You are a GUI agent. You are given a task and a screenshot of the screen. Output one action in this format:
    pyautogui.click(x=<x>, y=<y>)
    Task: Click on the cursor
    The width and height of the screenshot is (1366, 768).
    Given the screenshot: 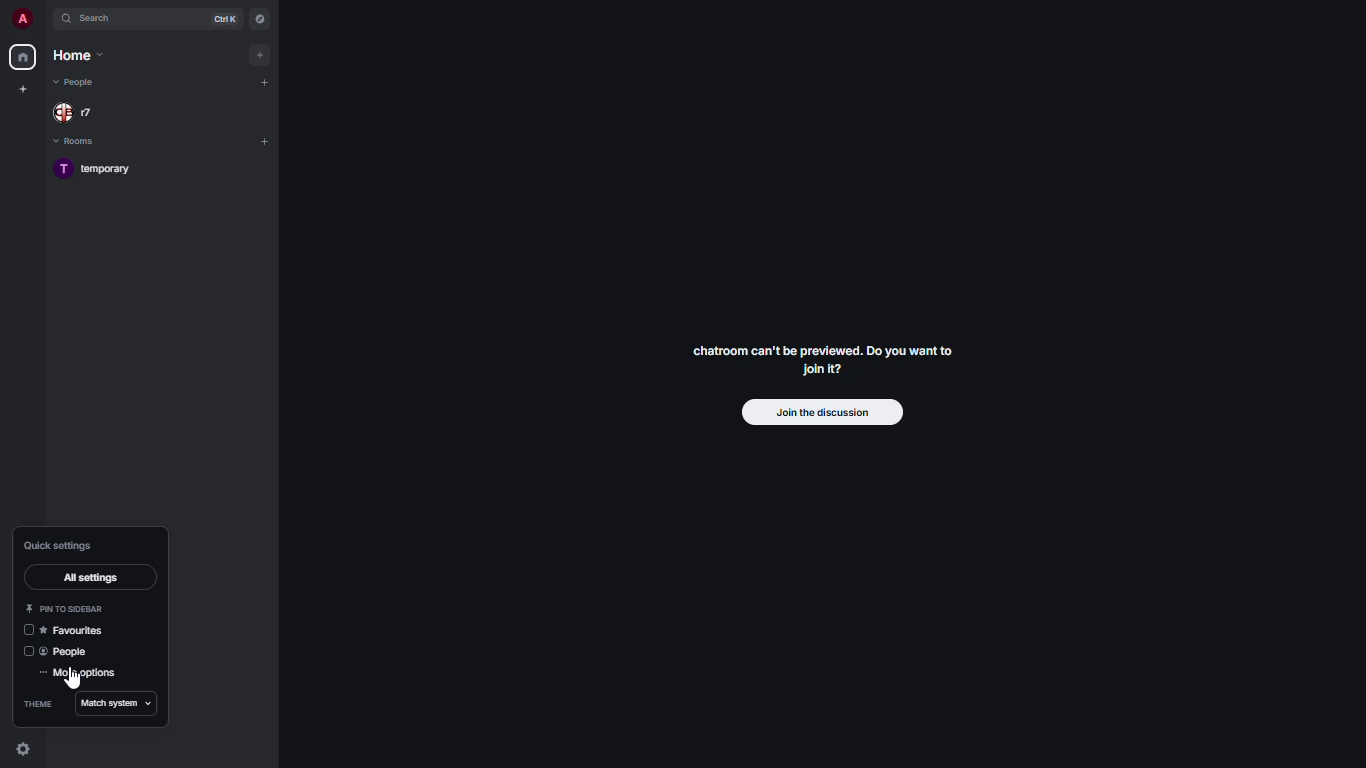 What is the action you would take?
    pyautogui.click(x=73, y=682)
    